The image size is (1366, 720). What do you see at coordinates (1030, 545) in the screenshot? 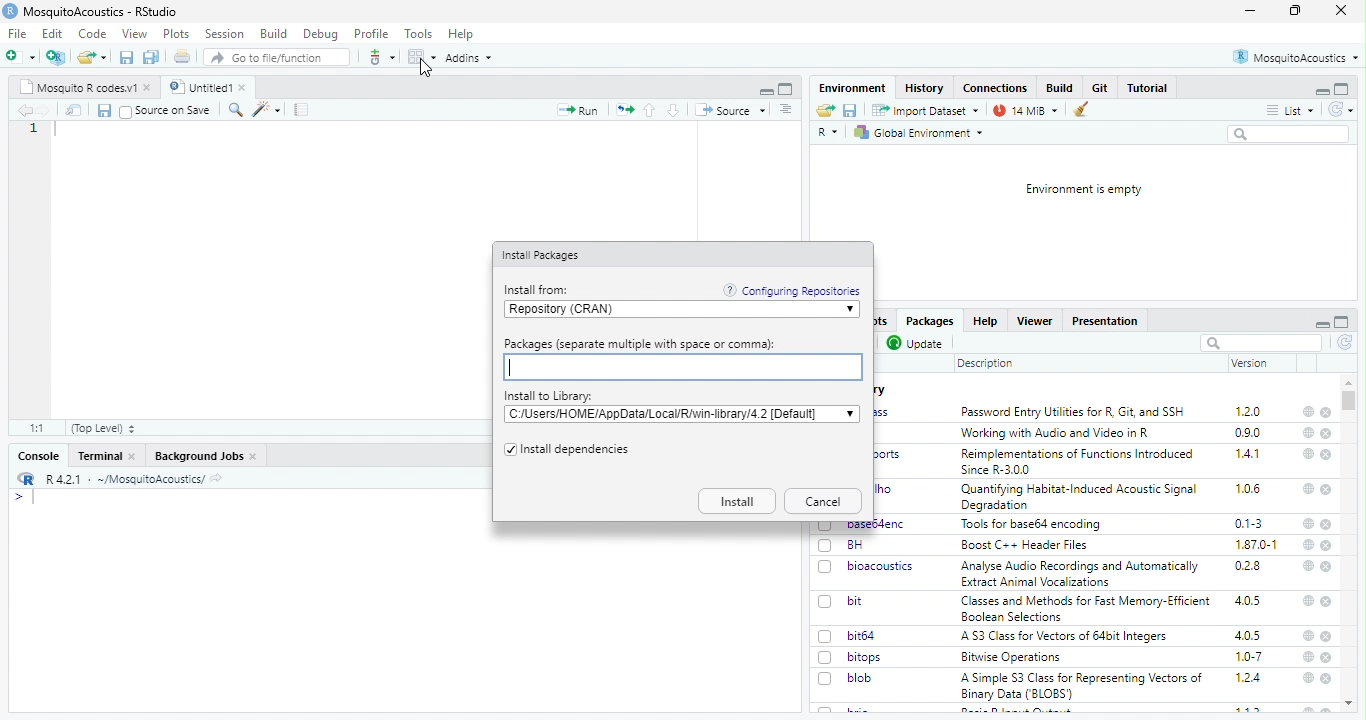
I see `Boost C++ Header Files` at bounding box center [1030, 545].